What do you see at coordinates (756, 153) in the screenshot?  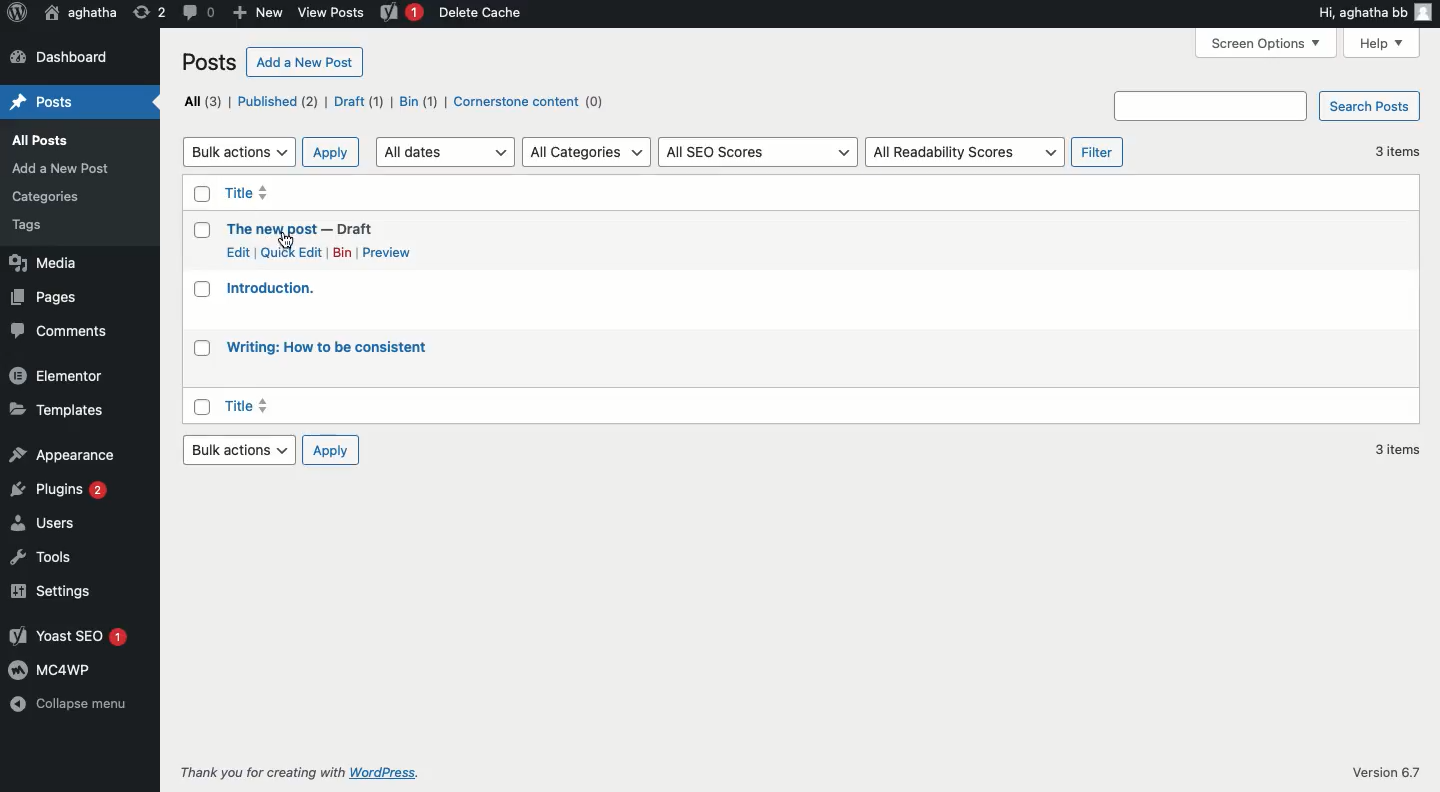 I see `All SEO scores` at bounding box center [756, 153].